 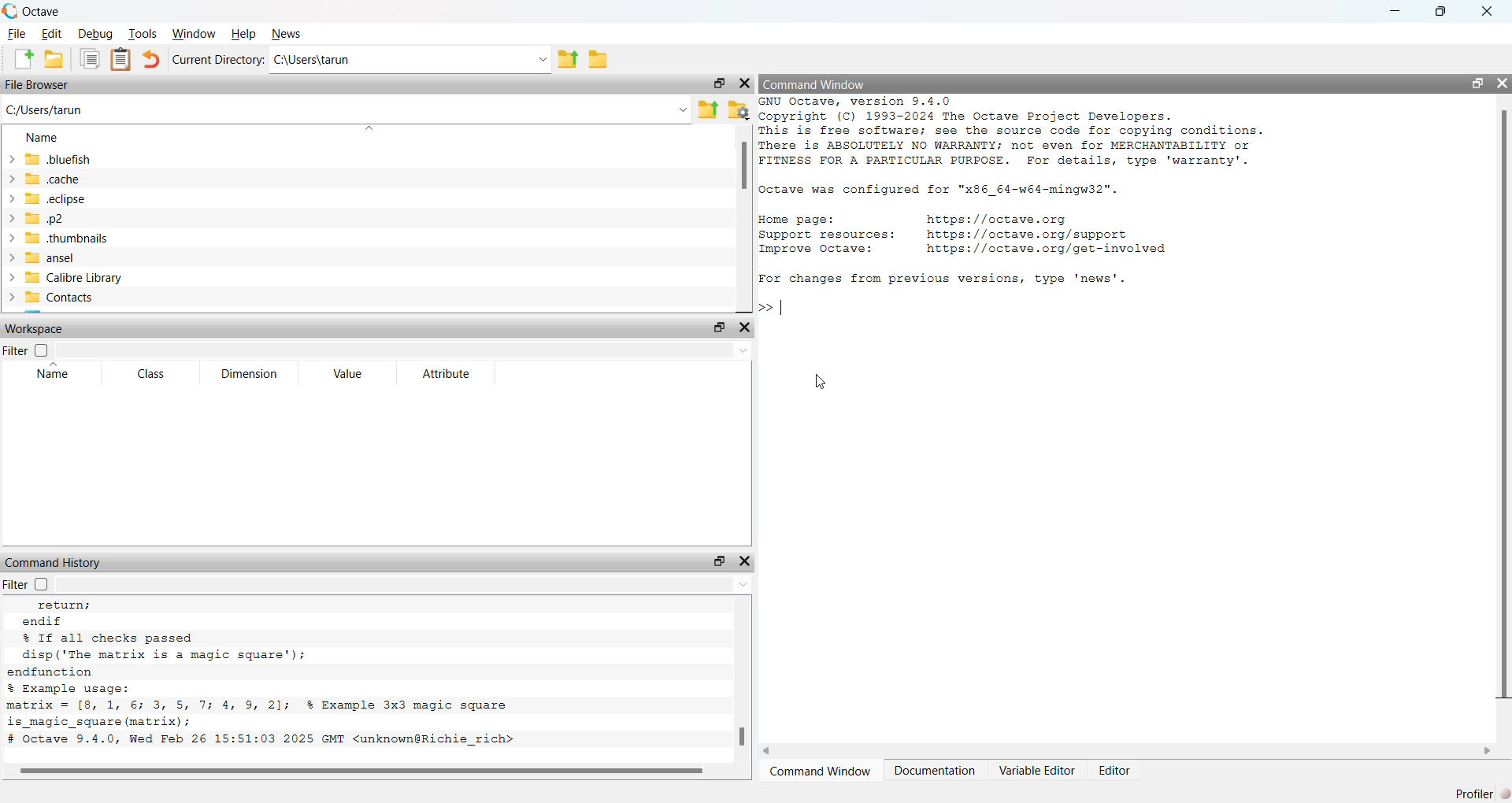 What do you see at coordinates (824, 322) in the screenshot?
I see `Cursor` at bounding box center [824, 322].